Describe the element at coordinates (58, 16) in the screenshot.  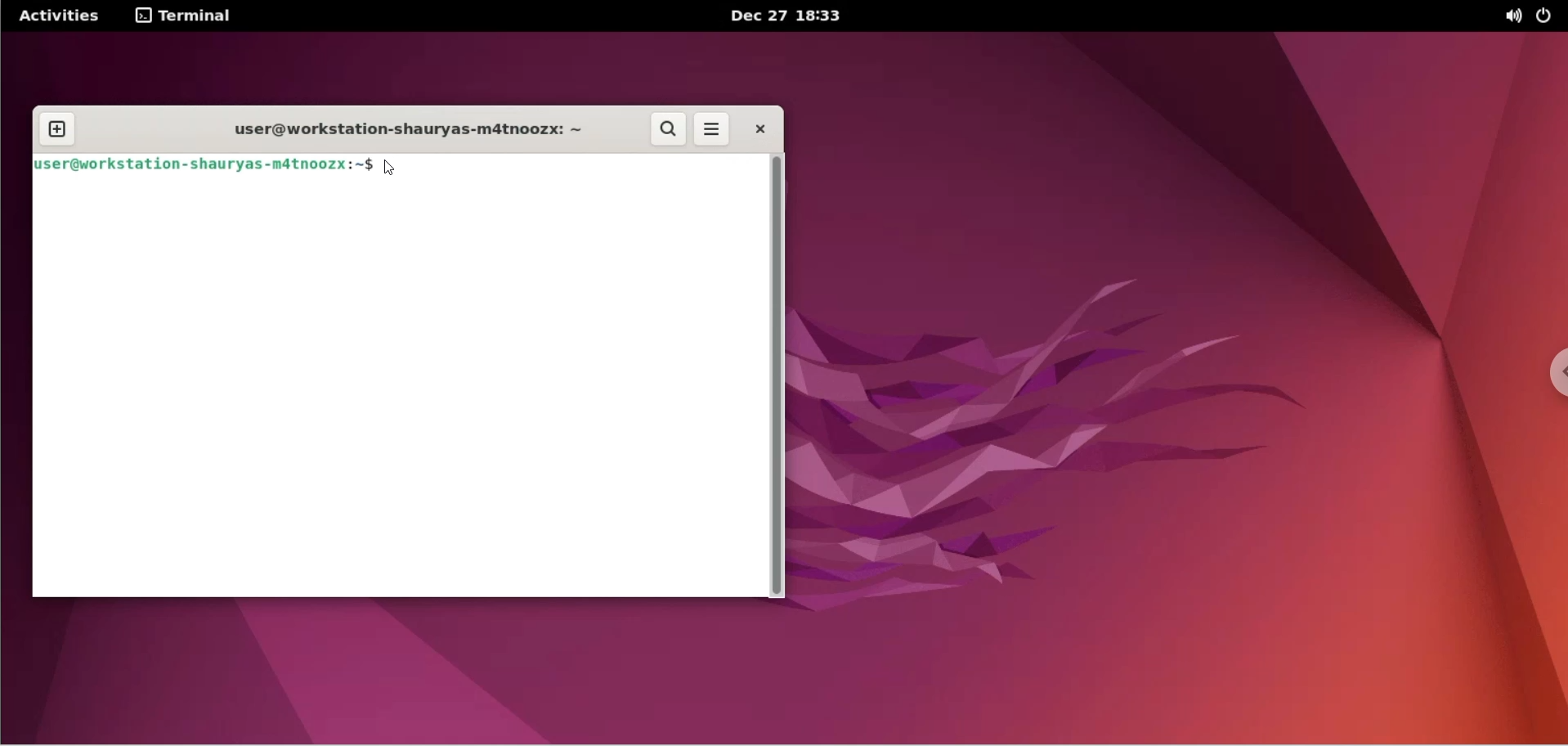
I see `Activities` at that location.